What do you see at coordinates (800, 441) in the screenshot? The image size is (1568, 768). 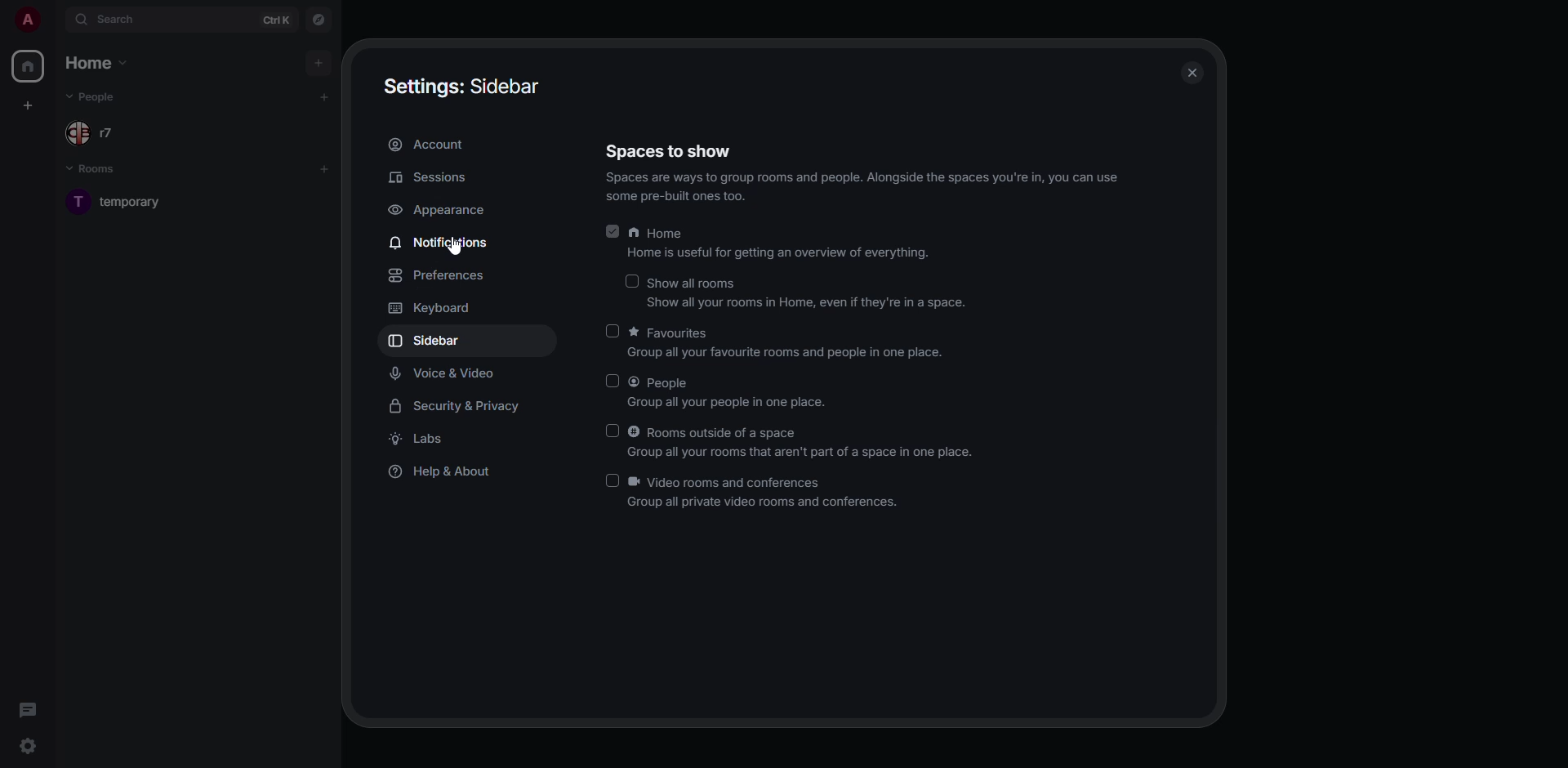 I see `rooms outside of a space` at bounding box center [800, 441].